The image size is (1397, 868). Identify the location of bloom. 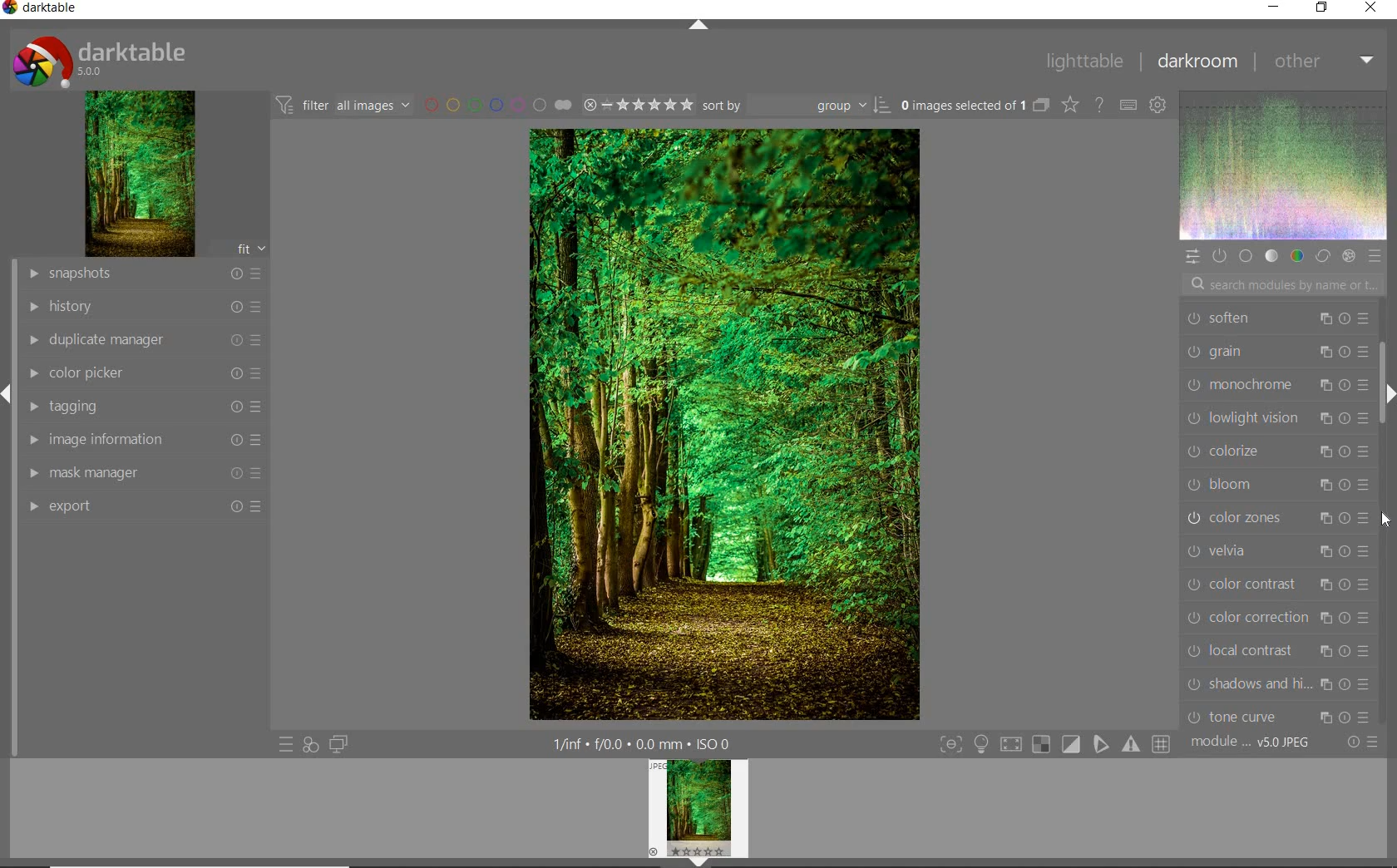
(1279, 484).